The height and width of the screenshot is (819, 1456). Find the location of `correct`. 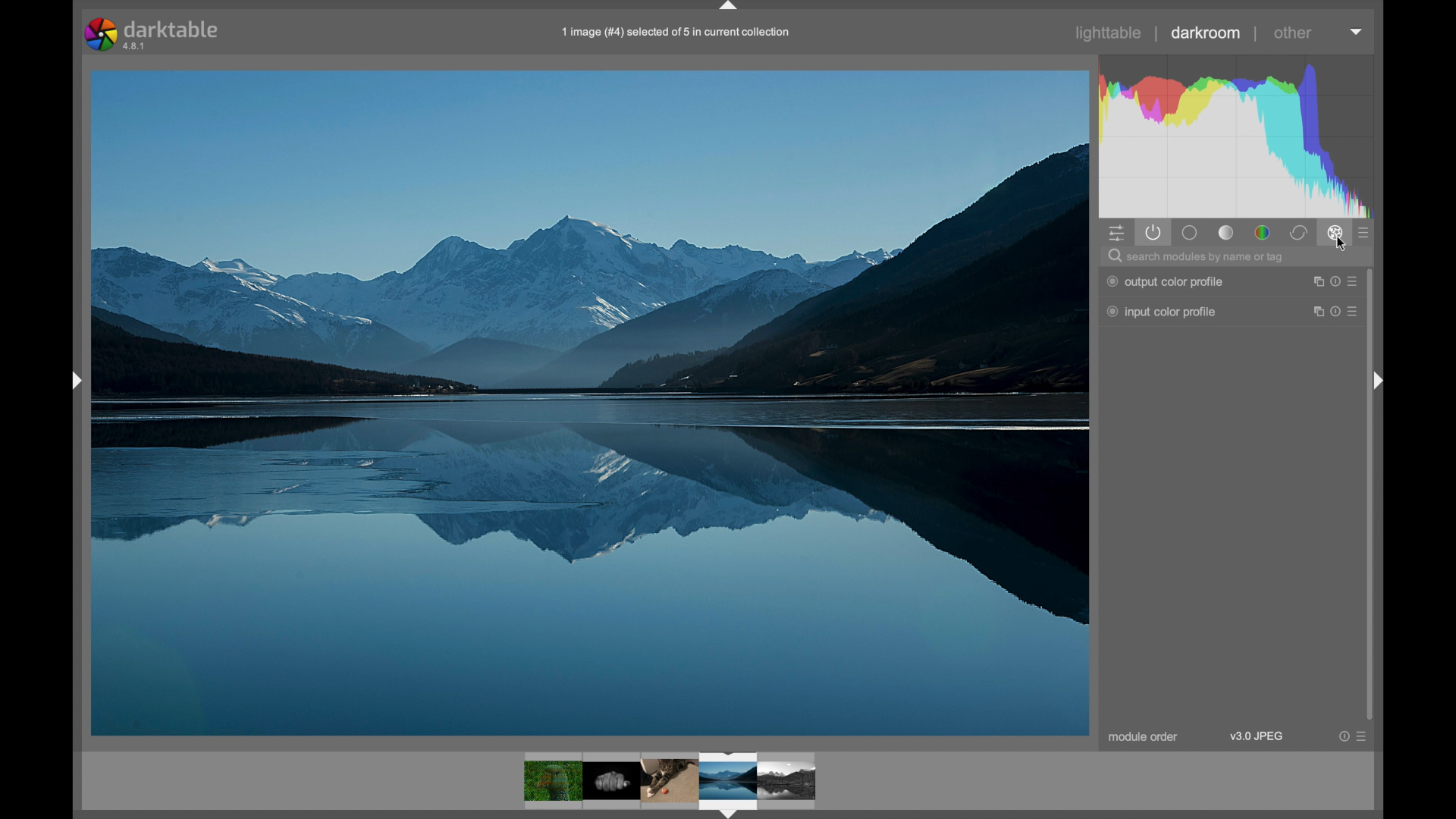

correct is located at coordinates (1298, 233).